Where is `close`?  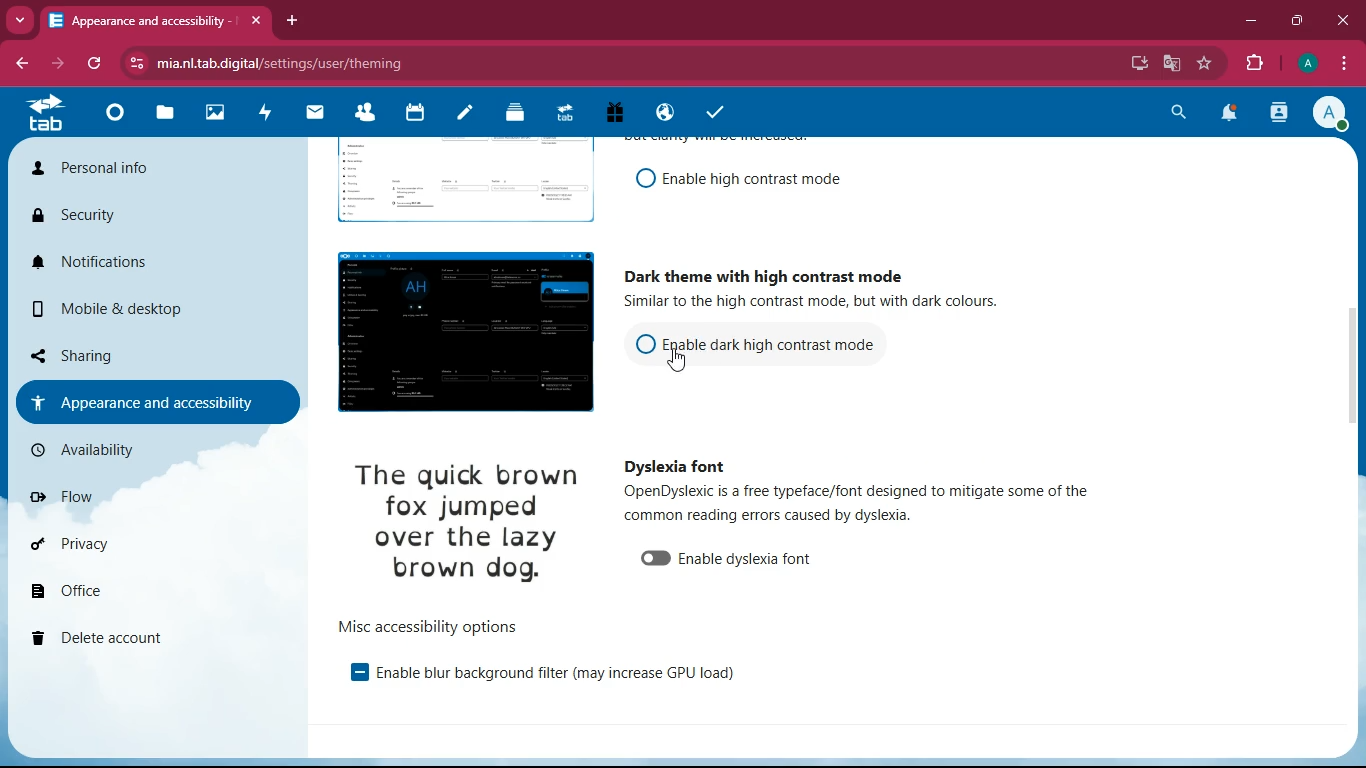
close is located at coordinates (258, 21).